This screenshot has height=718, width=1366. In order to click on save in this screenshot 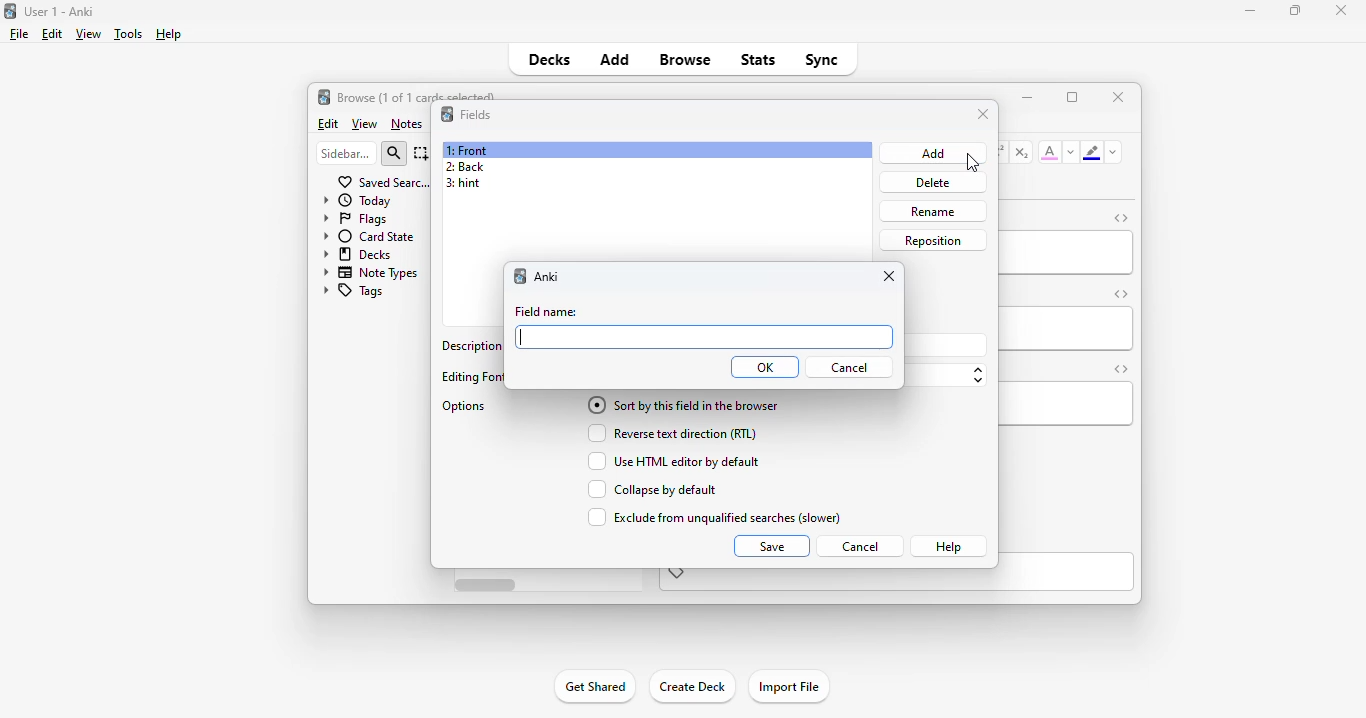, I will do `click(773, 546)`.